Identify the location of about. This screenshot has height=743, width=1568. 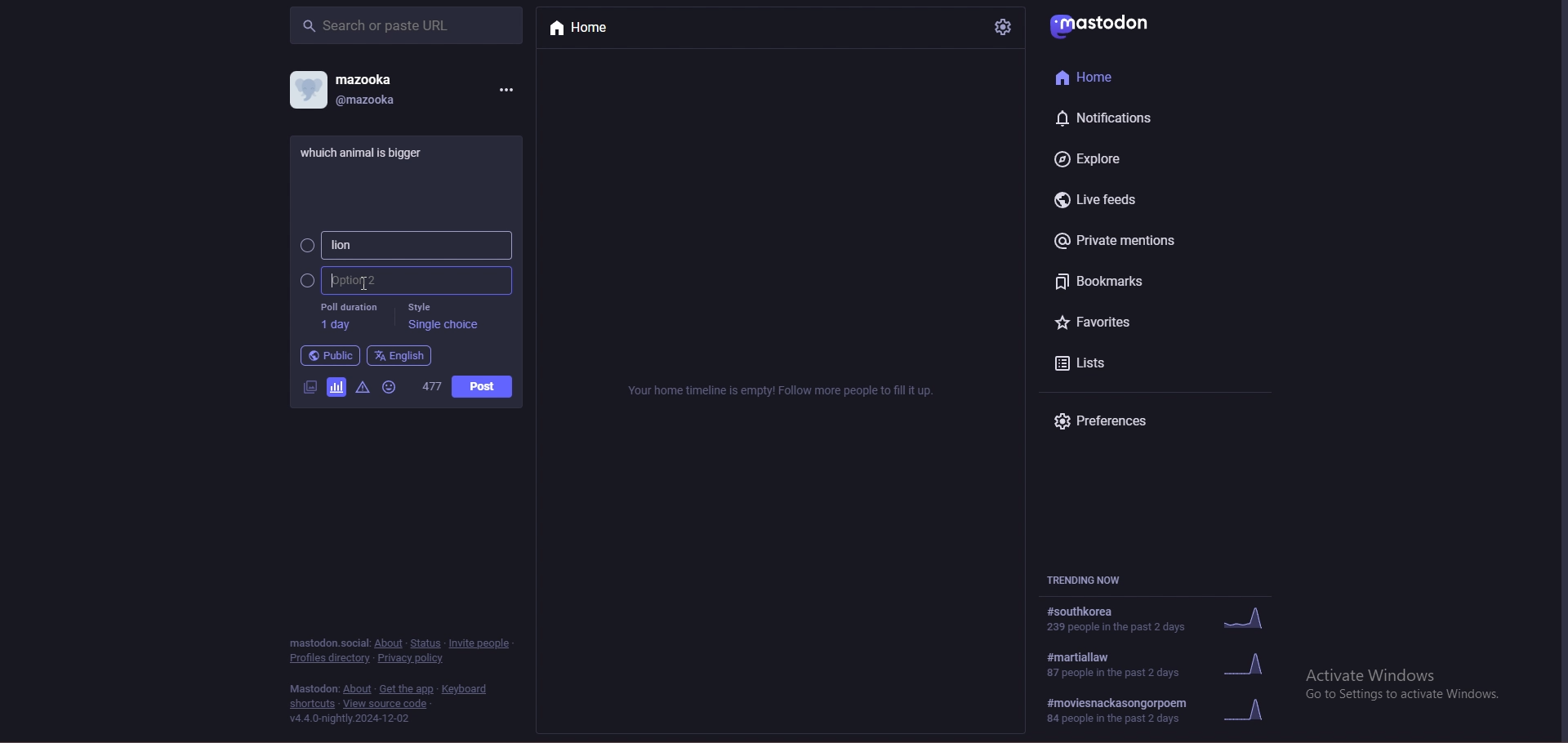
(390, 643).